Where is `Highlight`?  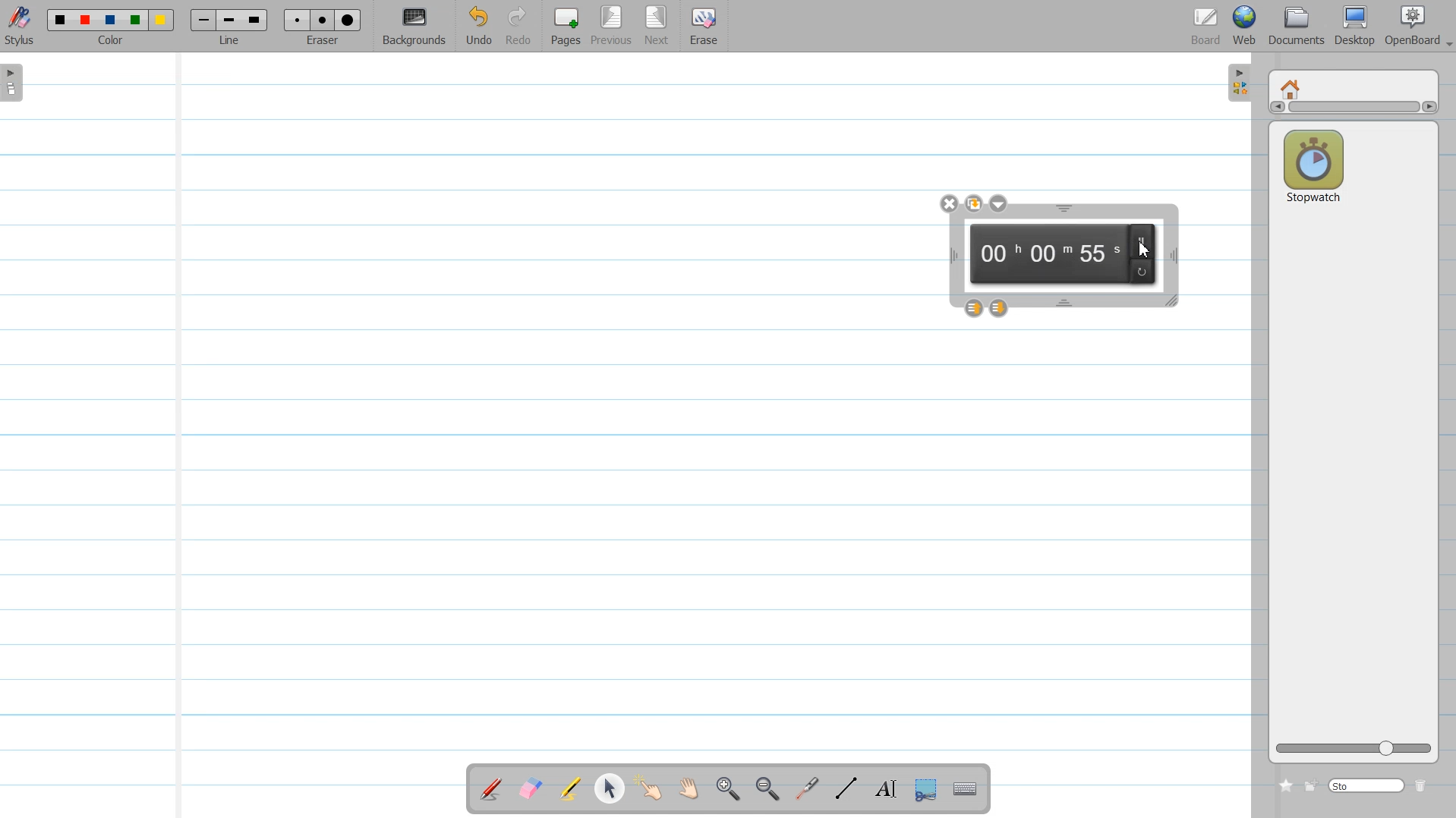 Highlight is located at coordinates (570, 788).